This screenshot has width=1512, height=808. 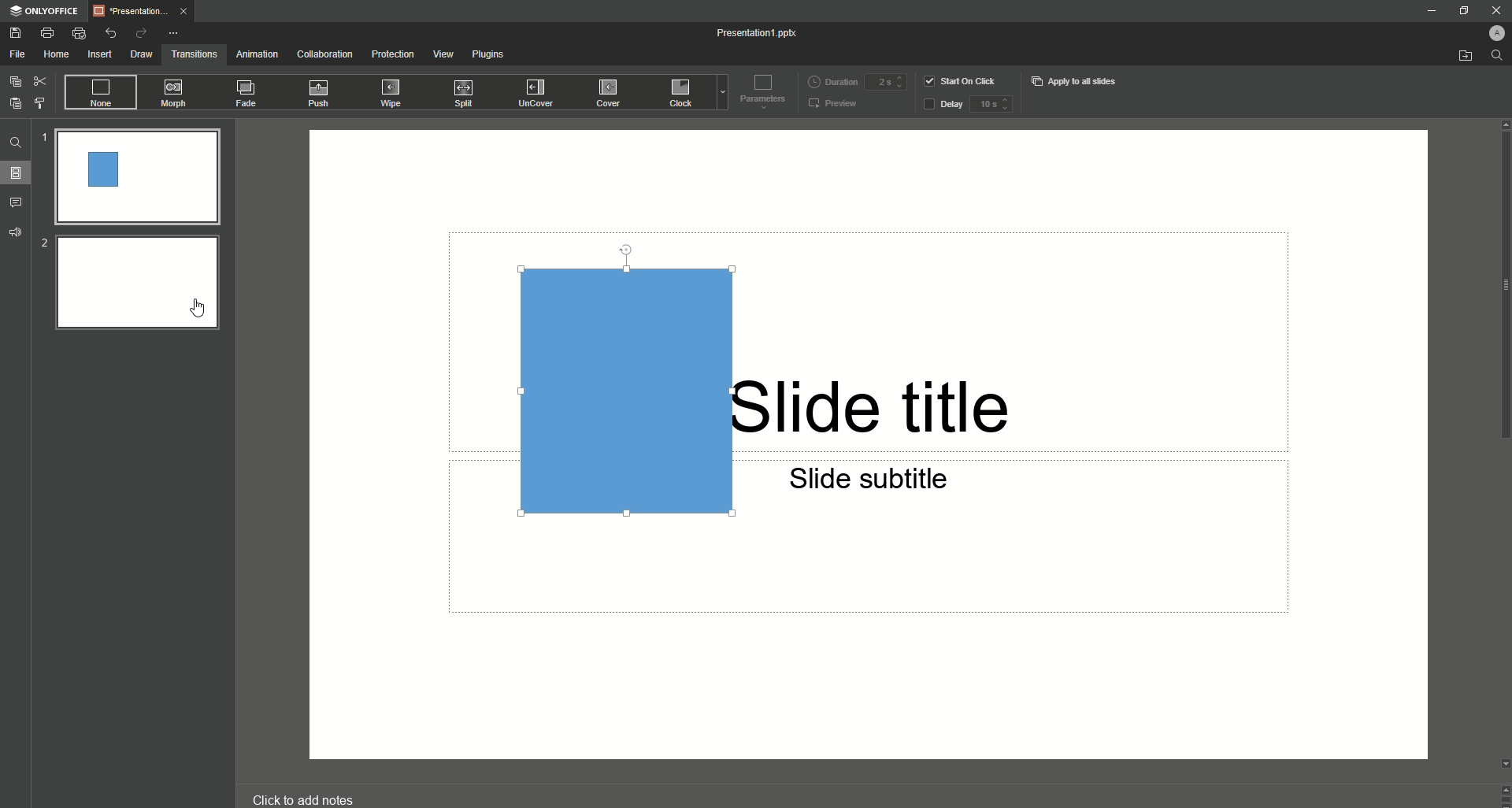 What do you see at coordinates (940, 106) in the screenshot?
I see `Delay button` at bounding box center [940, 106].